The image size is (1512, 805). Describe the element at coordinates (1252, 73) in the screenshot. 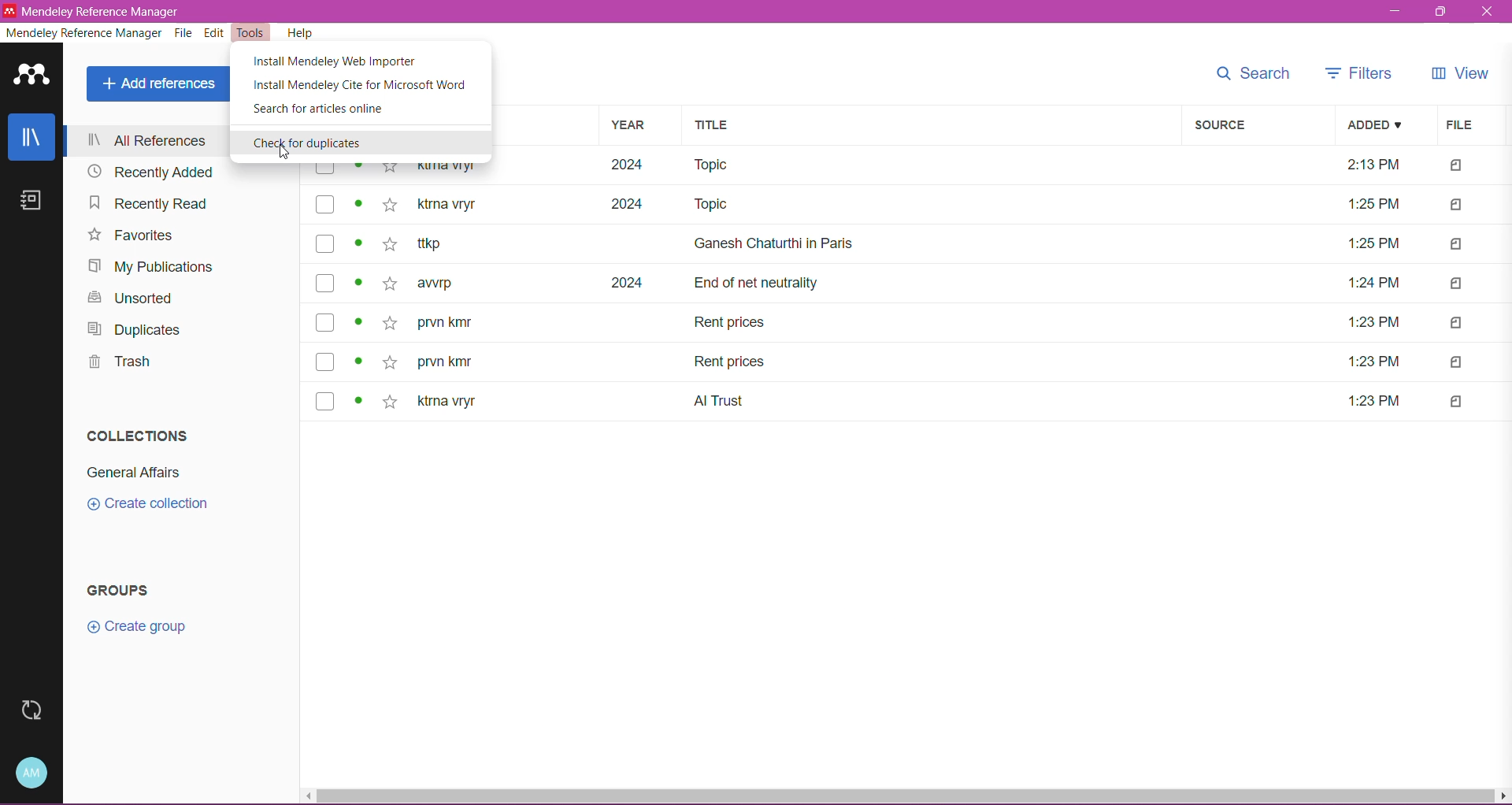

I see `Search` at that location.